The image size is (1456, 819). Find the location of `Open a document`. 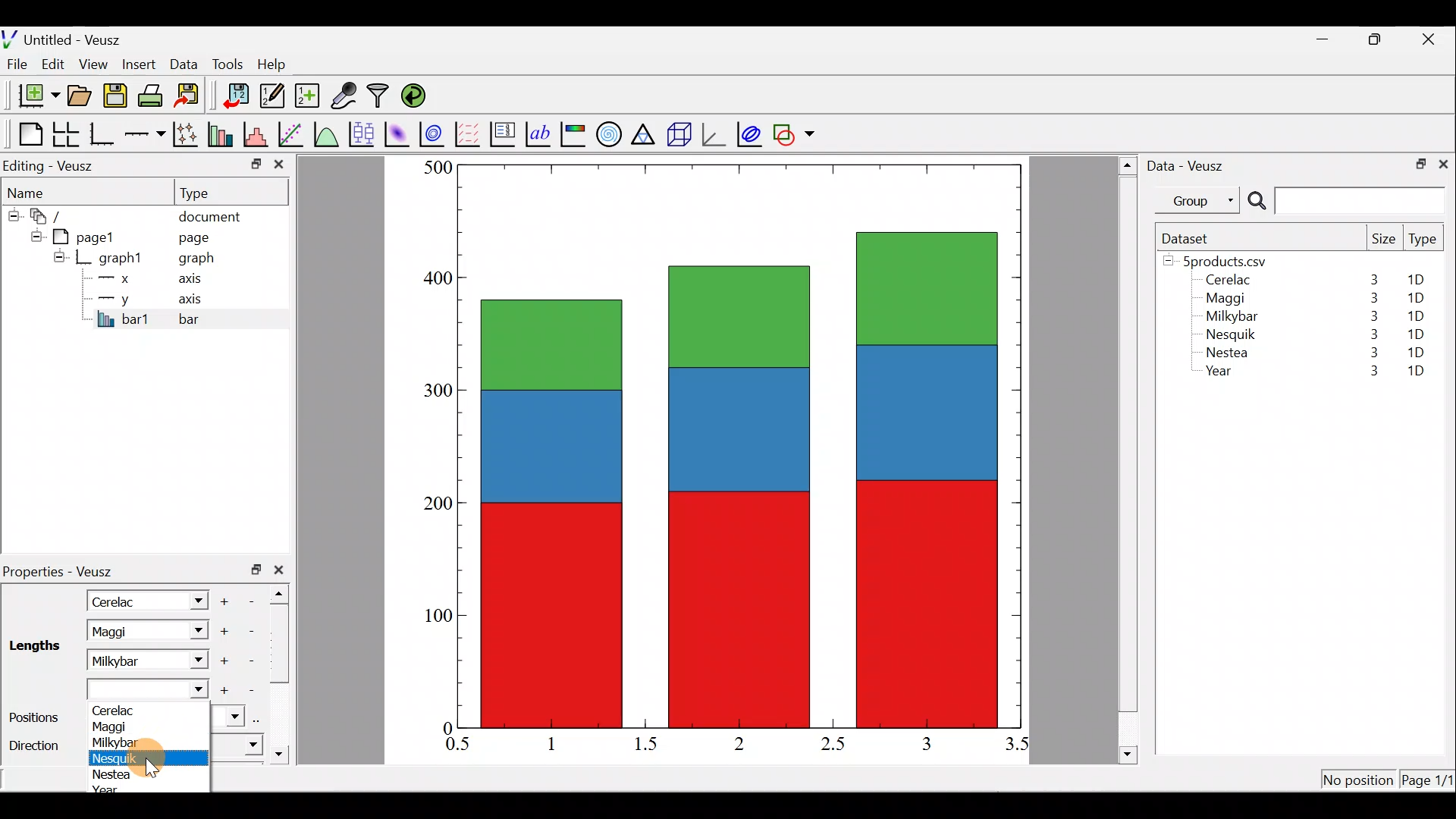

Open a document is located at coordinates (81, 97).